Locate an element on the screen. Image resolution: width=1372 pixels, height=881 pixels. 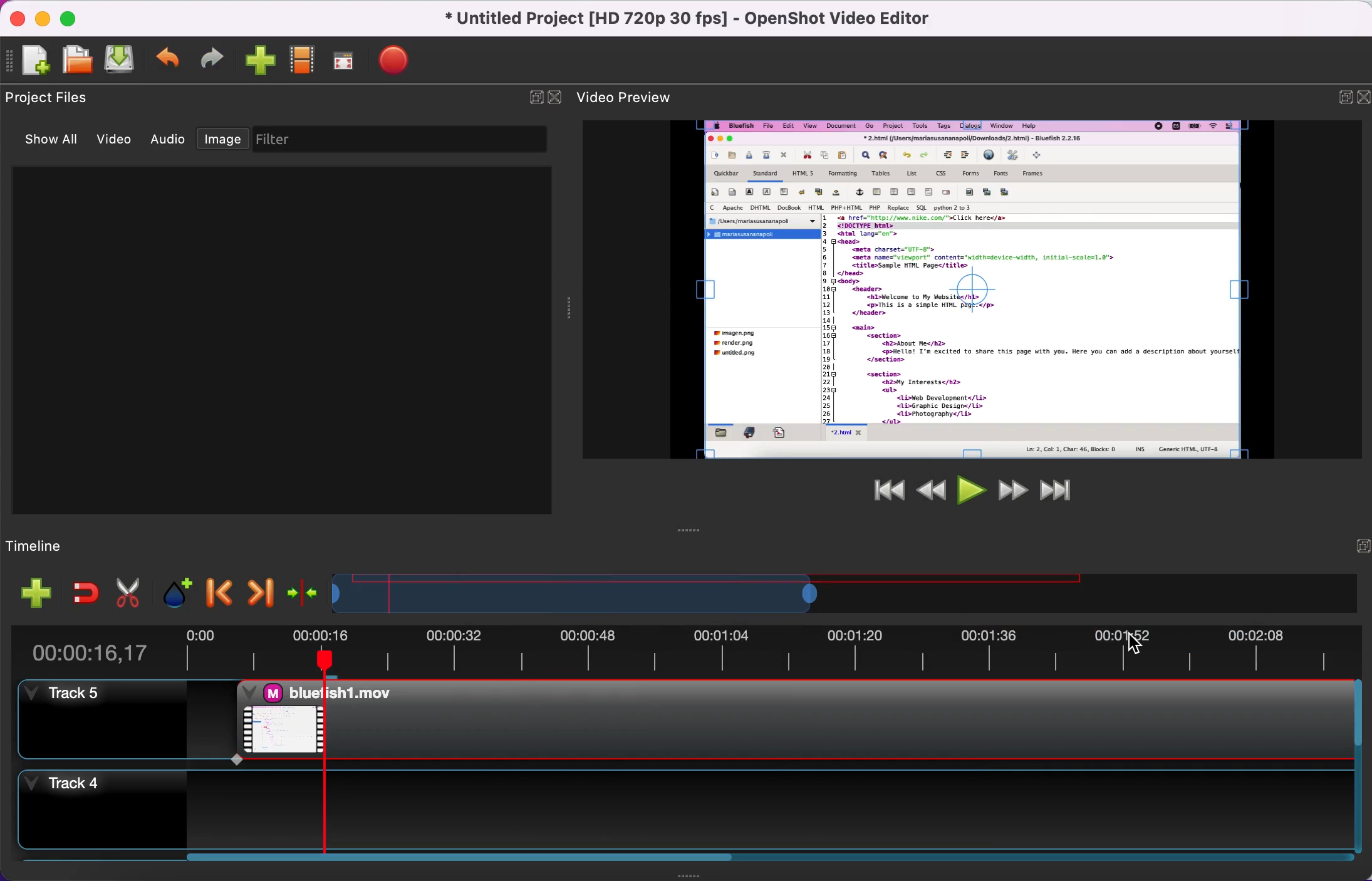
jump to start is located at coordinates (881, 496).